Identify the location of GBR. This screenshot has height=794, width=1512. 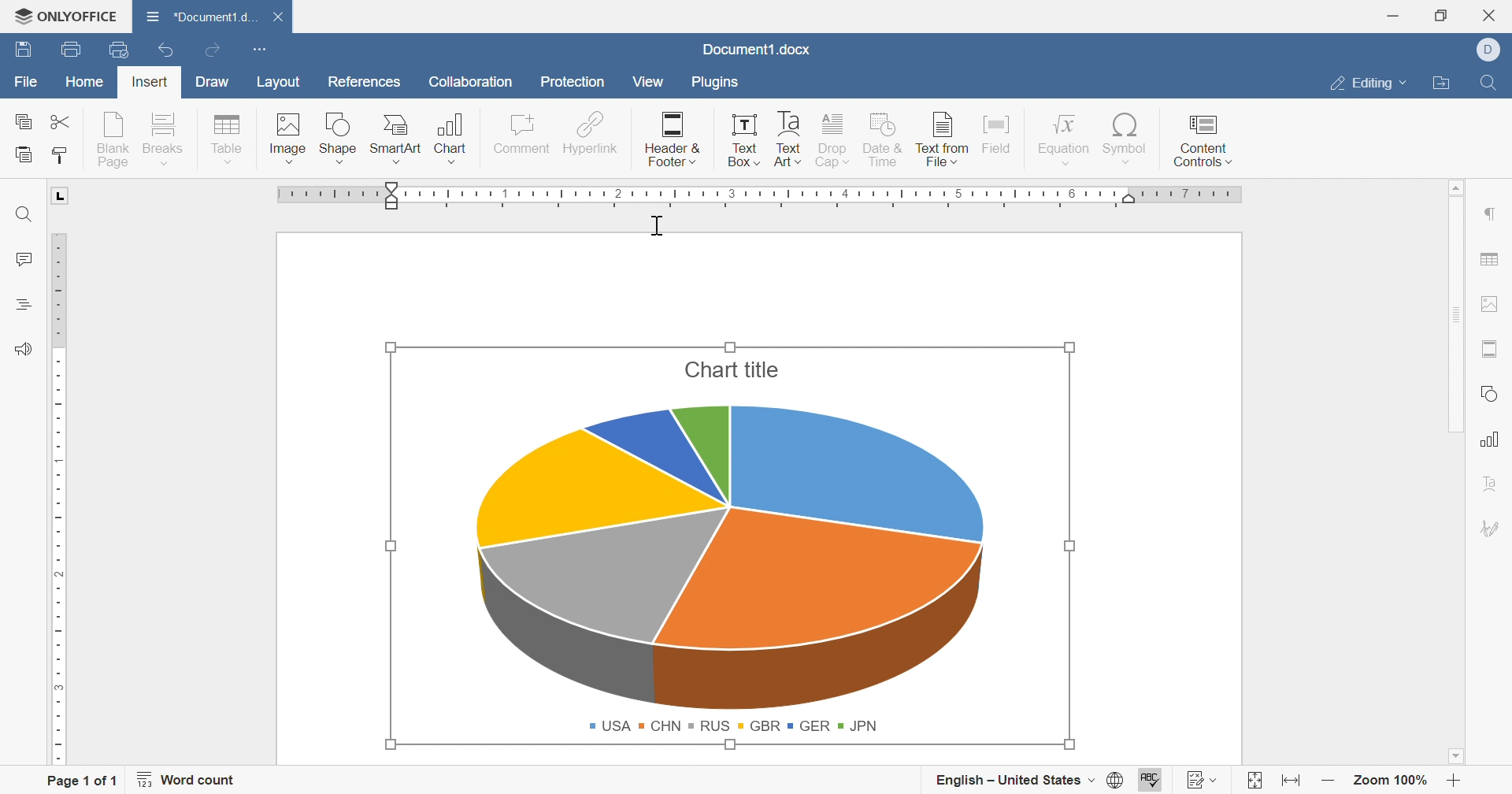
(759, 725).